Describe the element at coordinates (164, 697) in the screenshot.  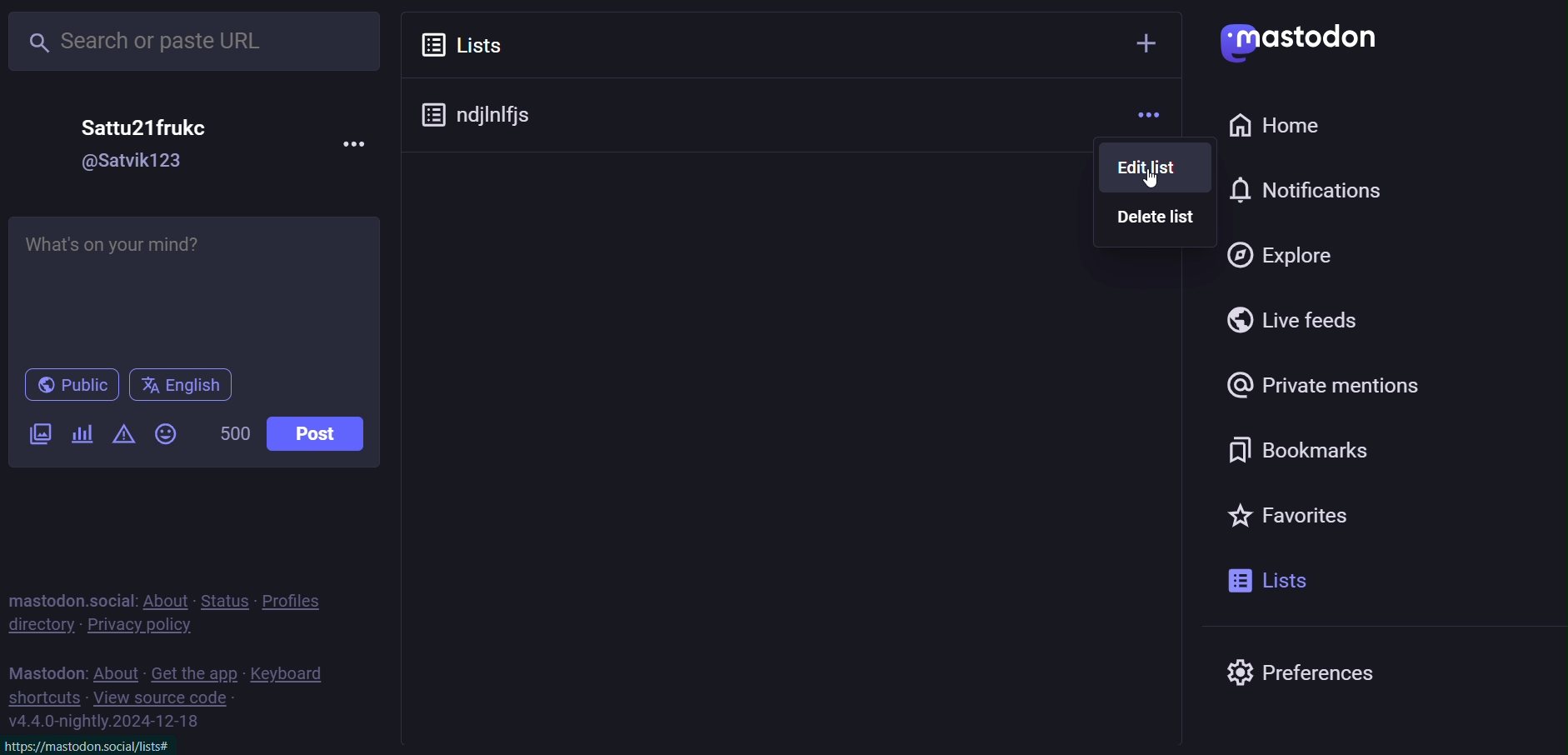
I see `view source code` at that location.